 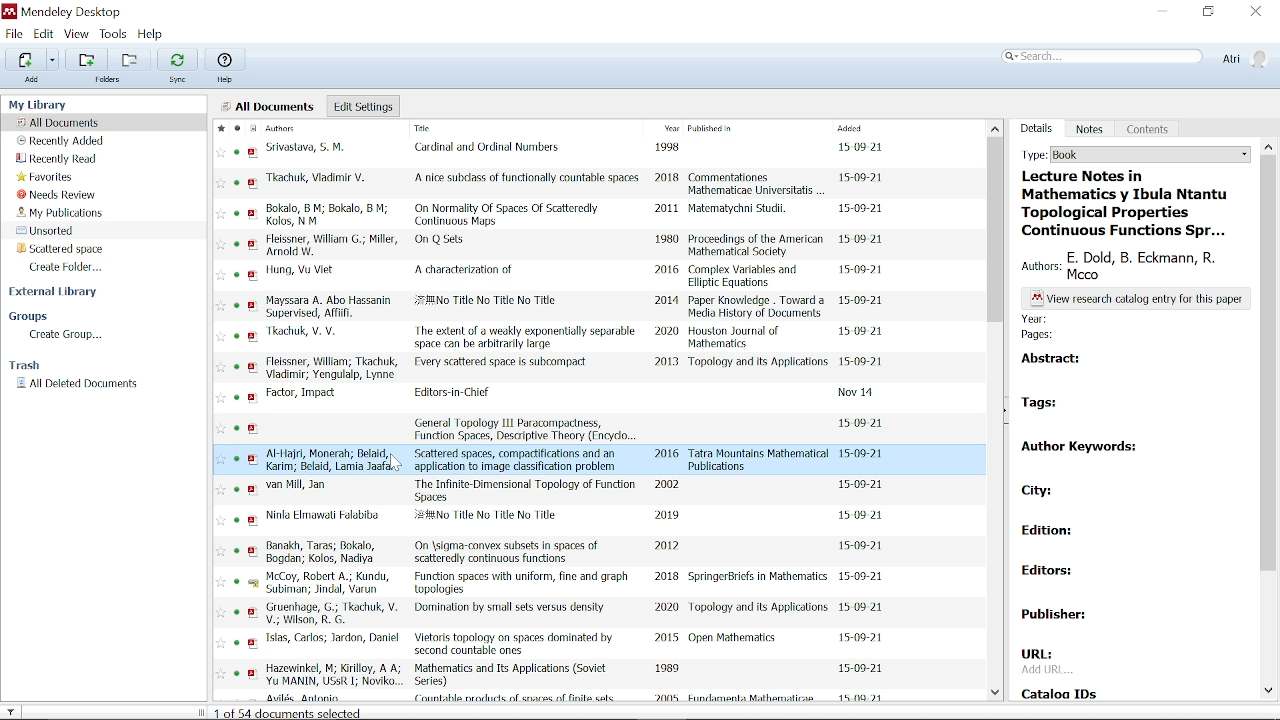 I want to click on Vertical scrollbar for all files, so click(x=997, y=229).